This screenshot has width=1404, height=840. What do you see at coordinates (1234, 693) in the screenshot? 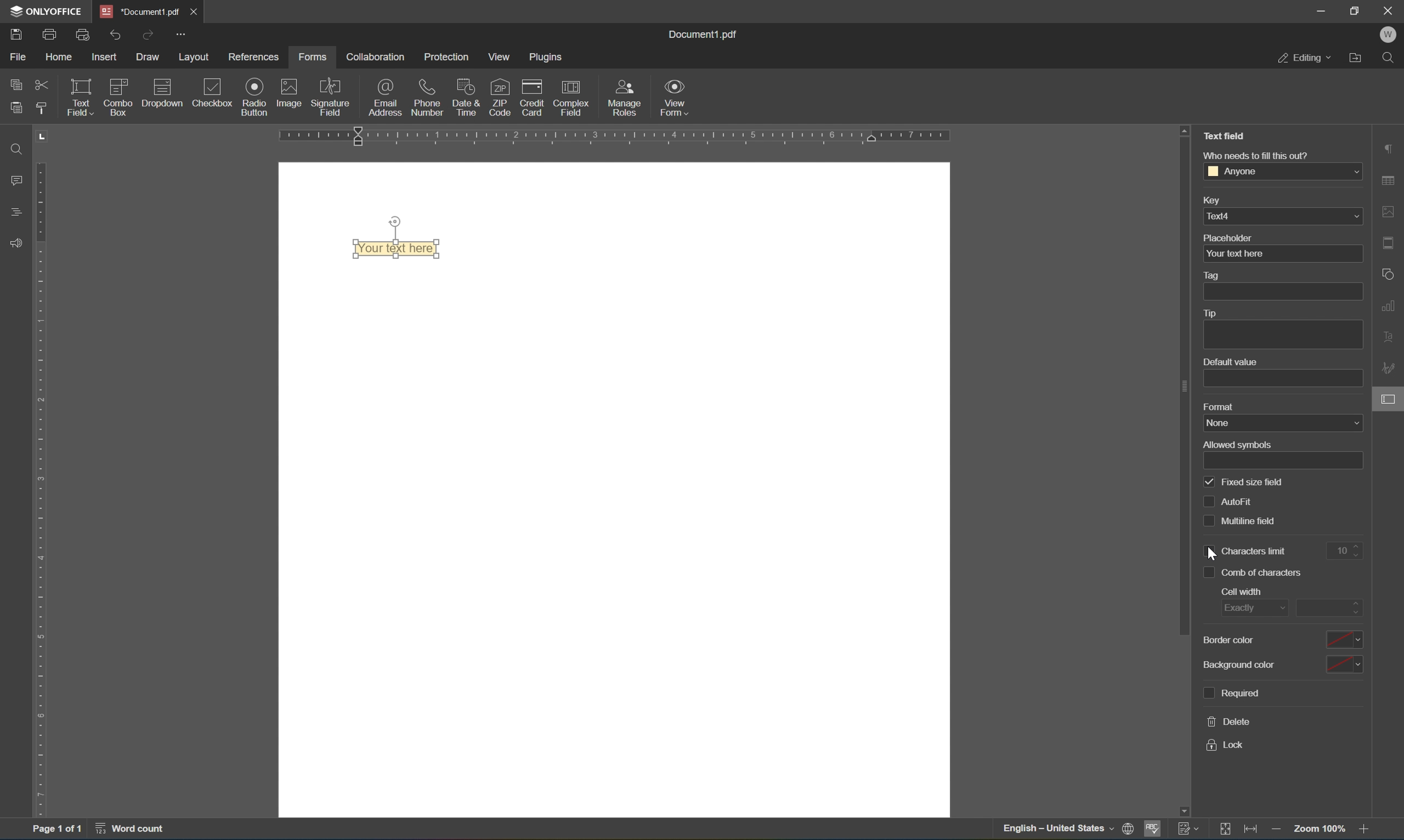
I see `required` at bounding box center [1234, 693].